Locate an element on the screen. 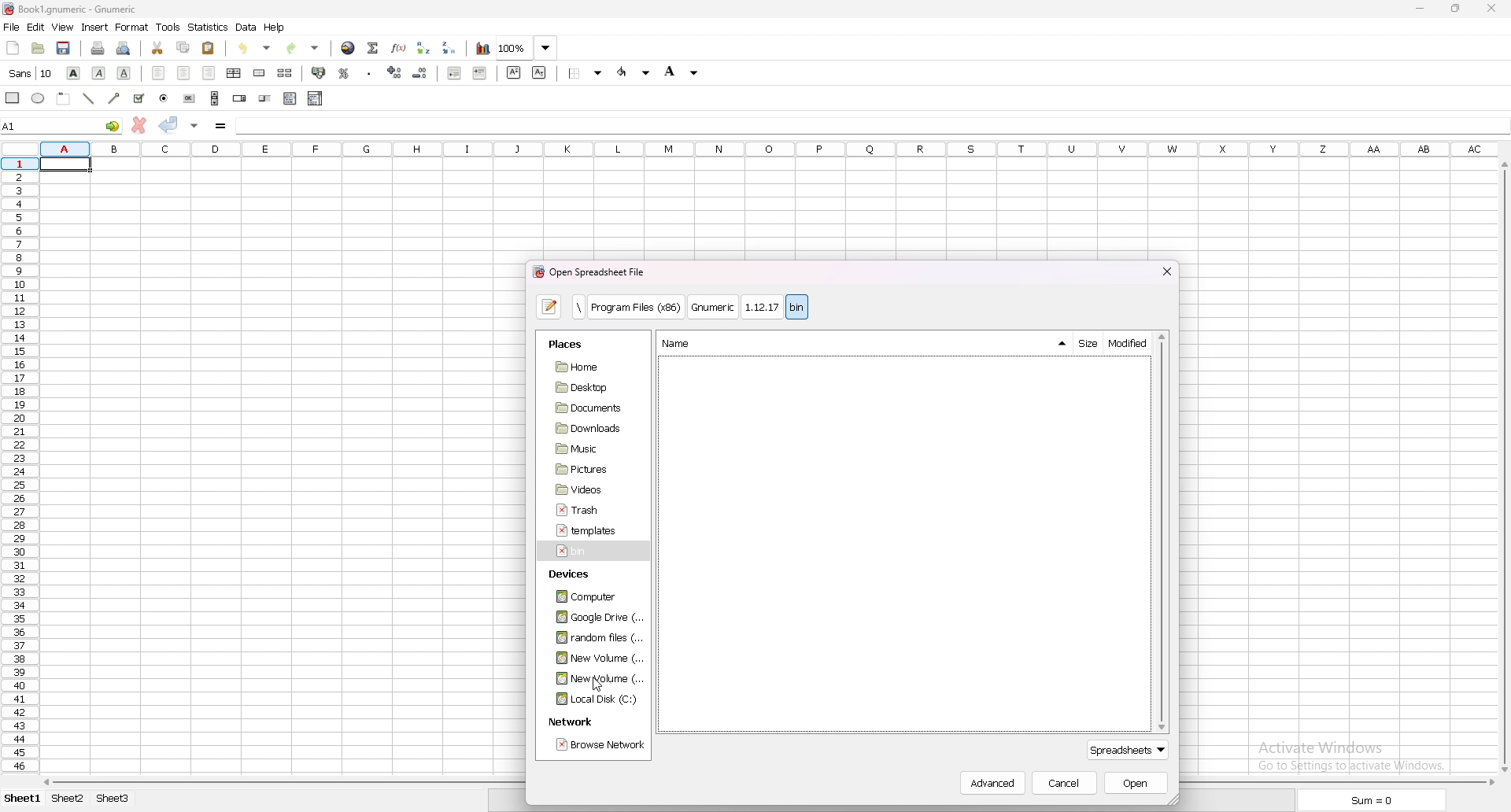  templates is located at coordinates (587, 529).